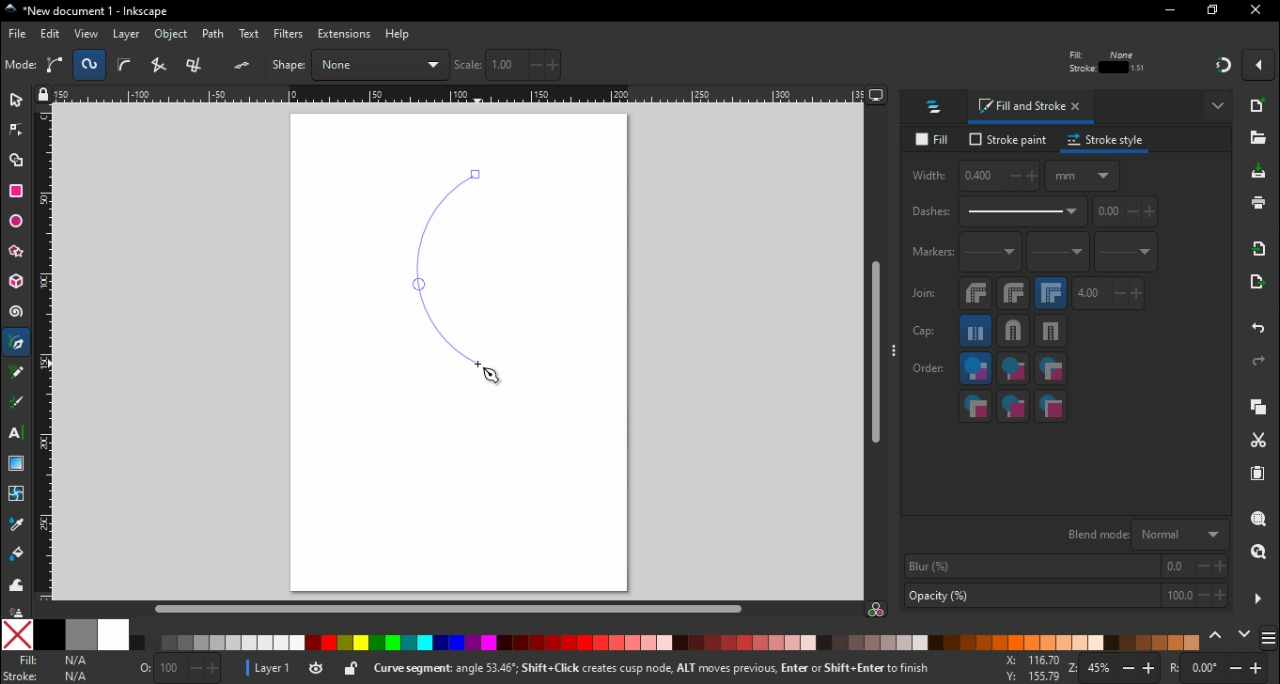 The image size is (1280, 684). Describe the element at coordinates (90, 64) in the screenshot. I see `create spiro path` at that location.